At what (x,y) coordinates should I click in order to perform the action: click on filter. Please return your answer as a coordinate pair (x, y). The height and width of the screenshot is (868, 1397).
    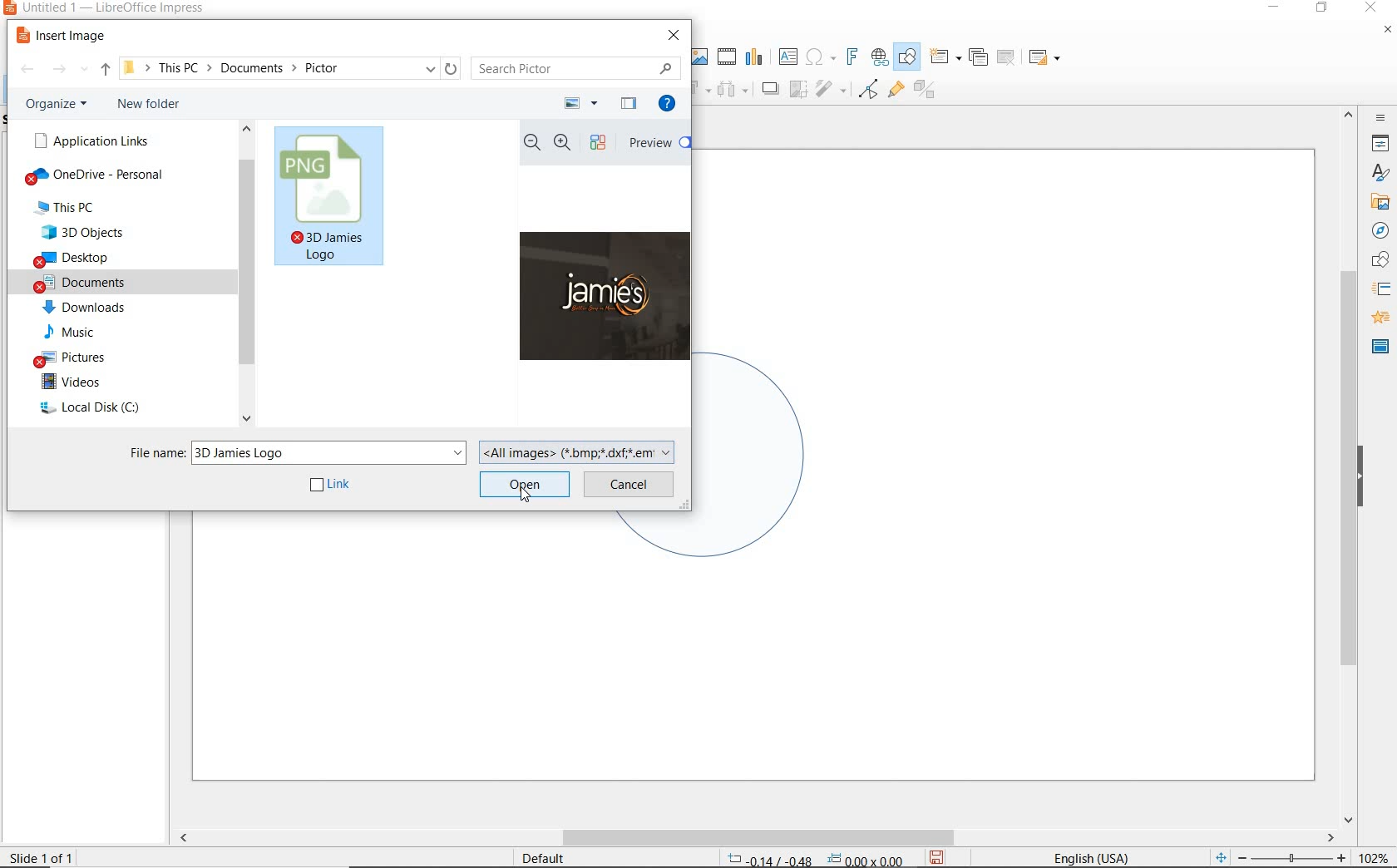
    Looking at the image, I should click on (868, 86).